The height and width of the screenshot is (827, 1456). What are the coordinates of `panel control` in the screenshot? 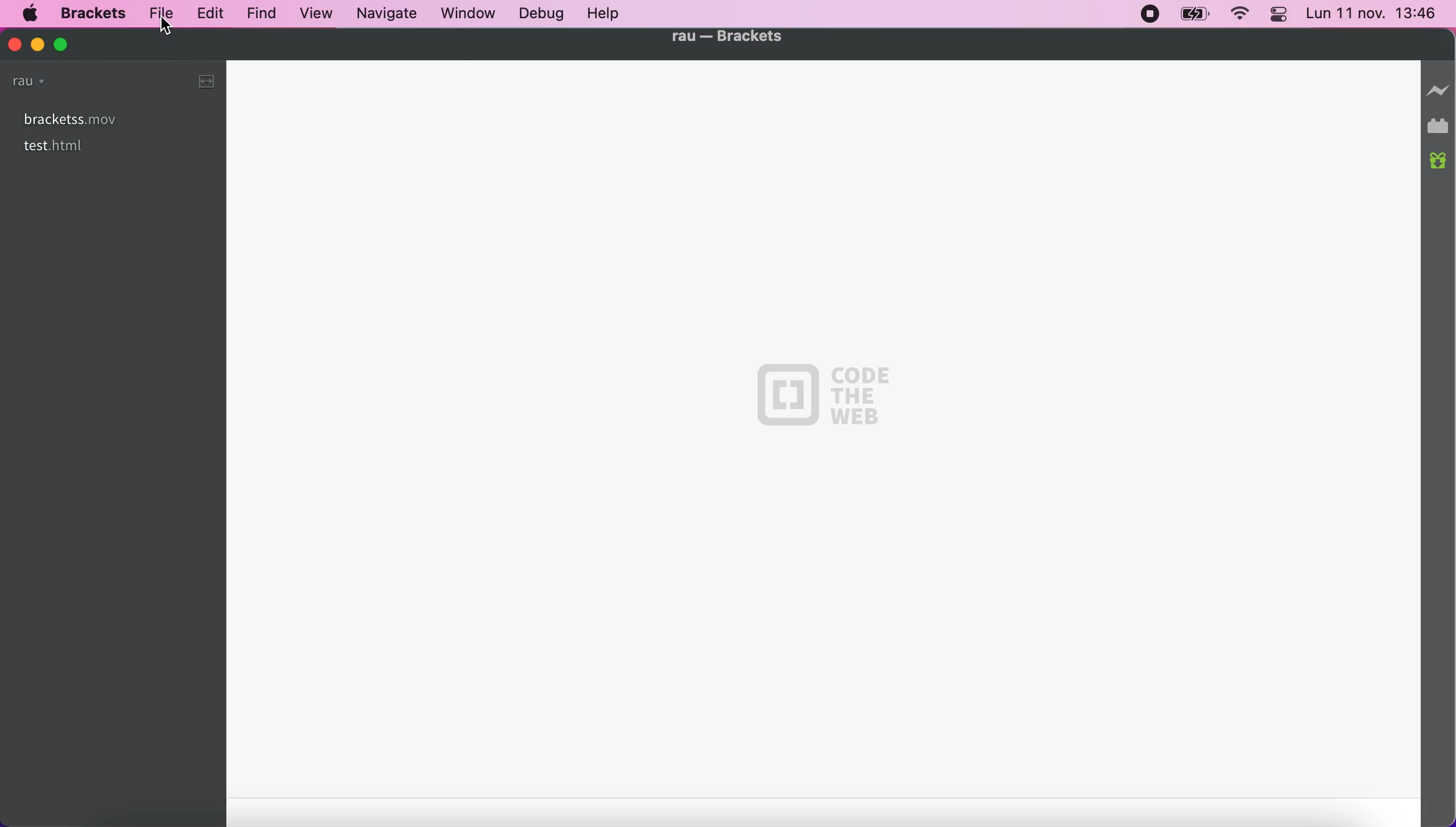 It's located at (1277, 14).